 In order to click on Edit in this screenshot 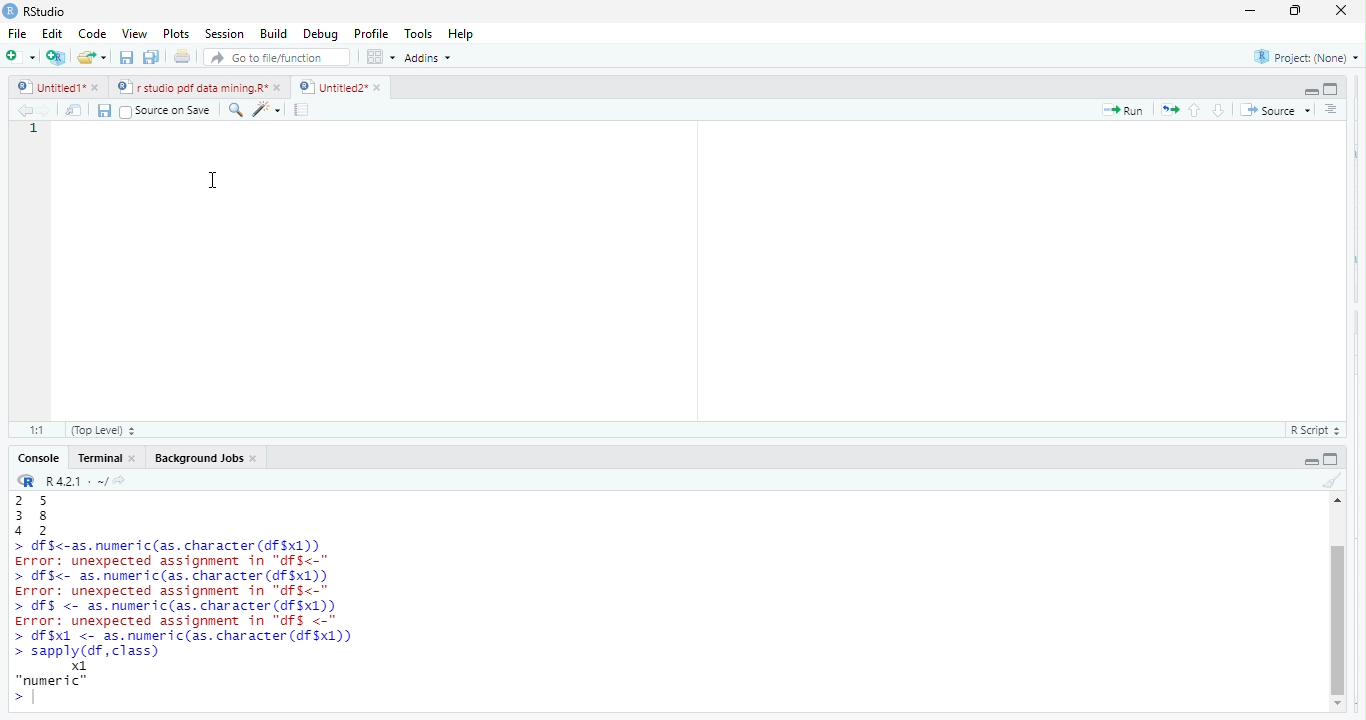, I will do `click(55, 34)`.